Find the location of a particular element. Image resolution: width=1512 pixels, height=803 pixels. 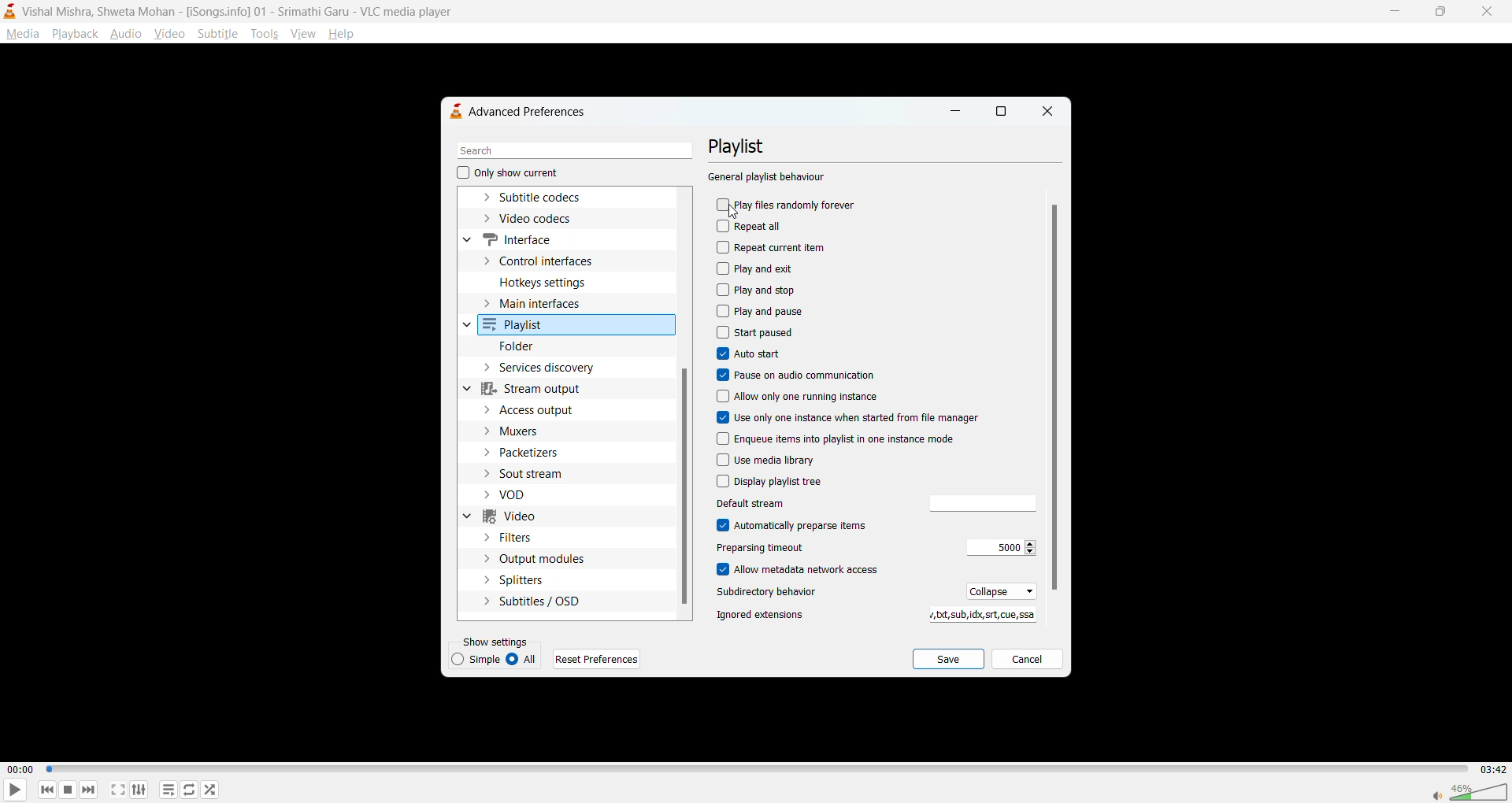

advanced preferences is located at coordinates (525, 111).